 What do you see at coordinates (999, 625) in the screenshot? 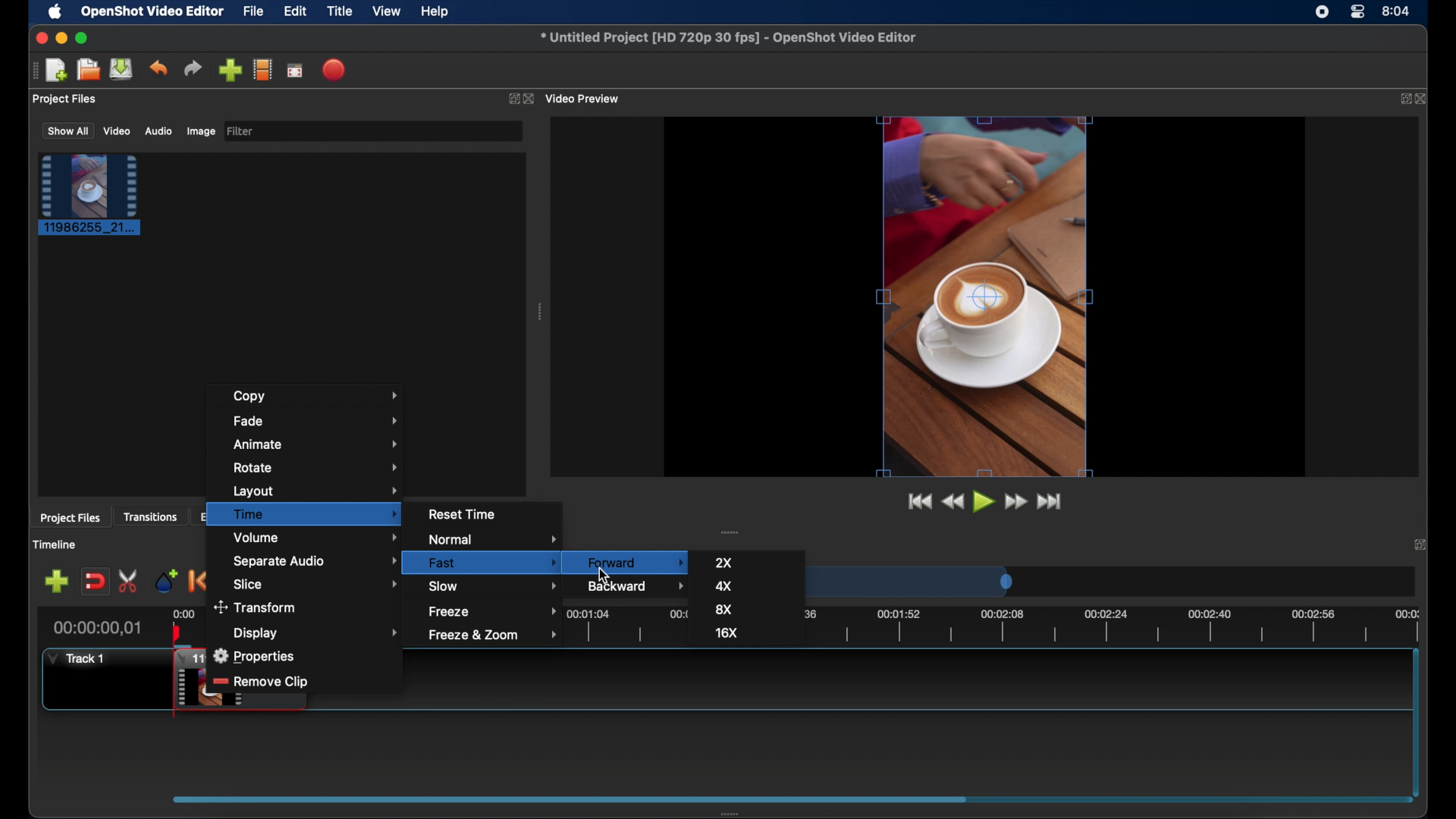
I see `timeline ` at bounding box center [999, 625].